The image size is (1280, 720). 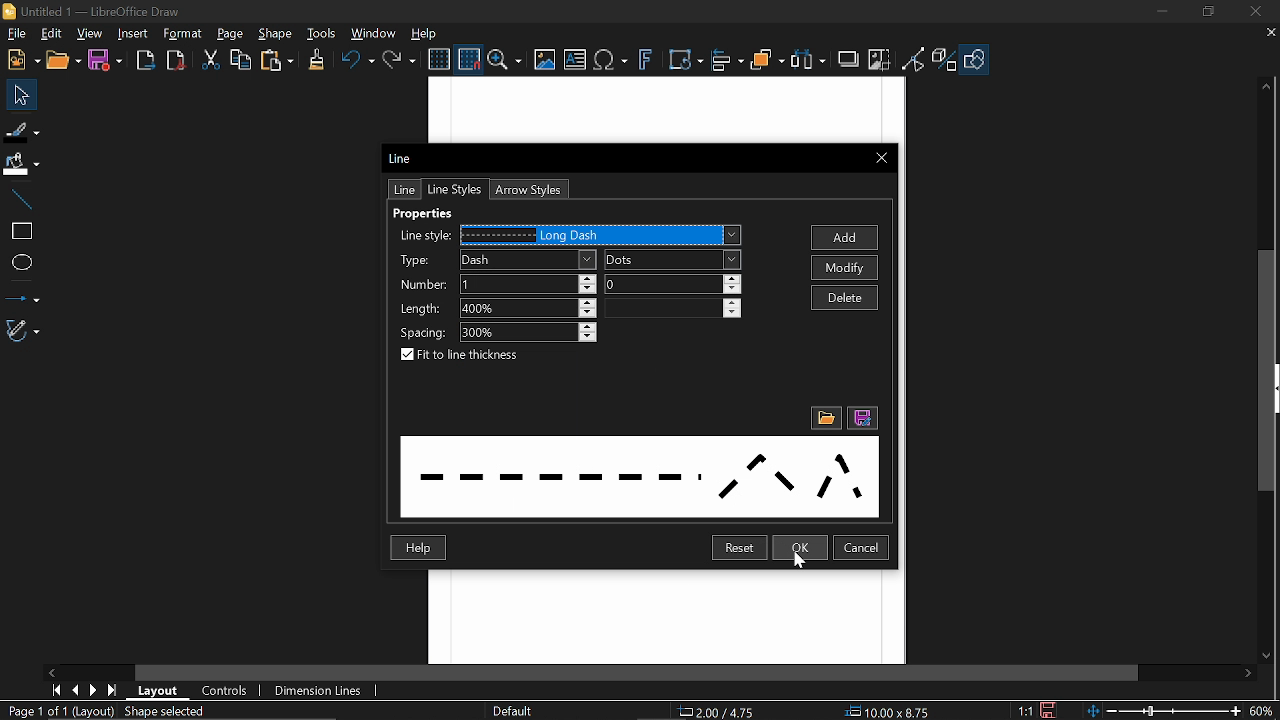 I want to click on proportion, so click(x=1023, y=710).